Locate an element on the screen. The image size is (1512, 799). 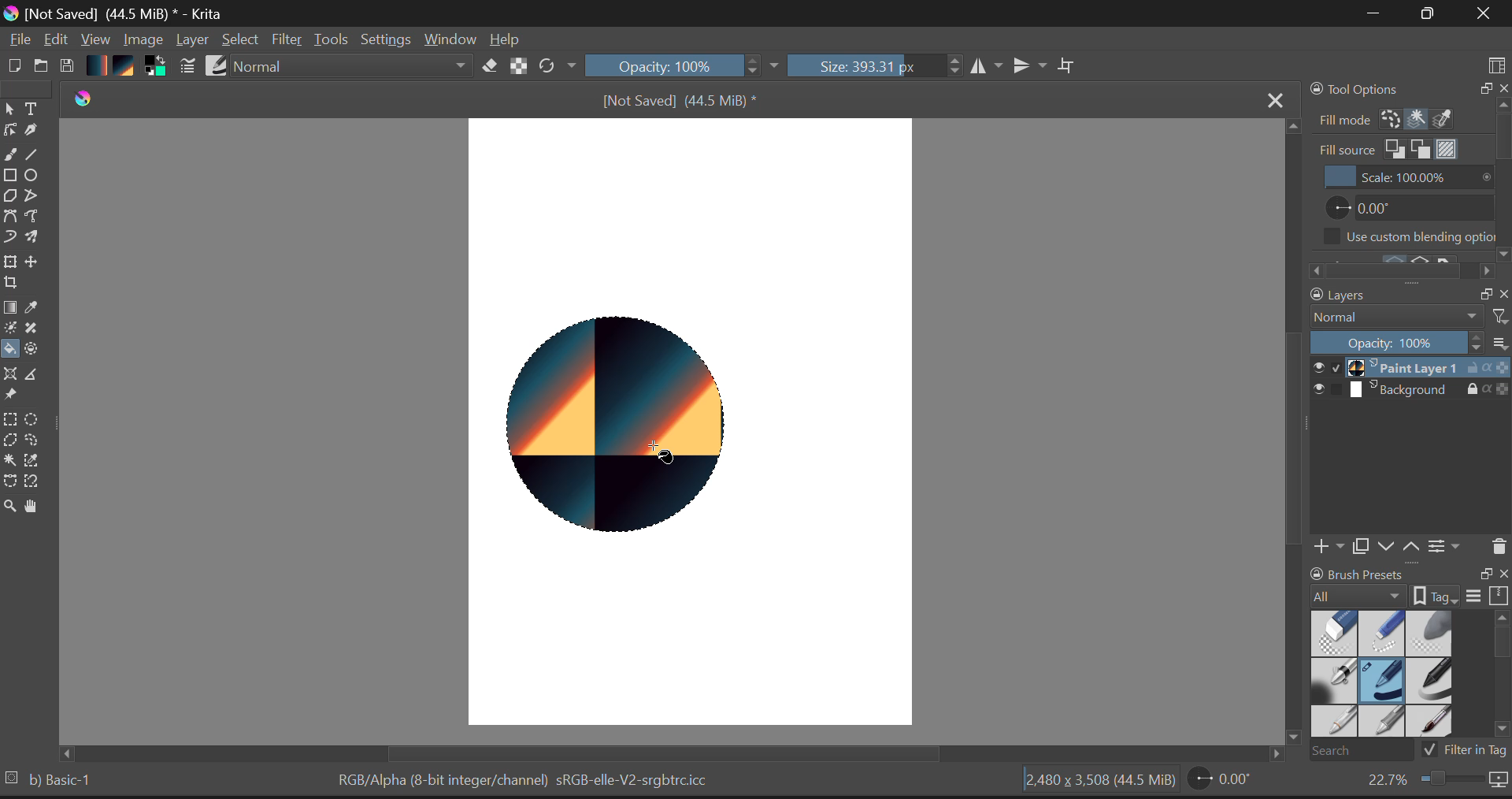
Reference Images is located at coordinates (13, 396).